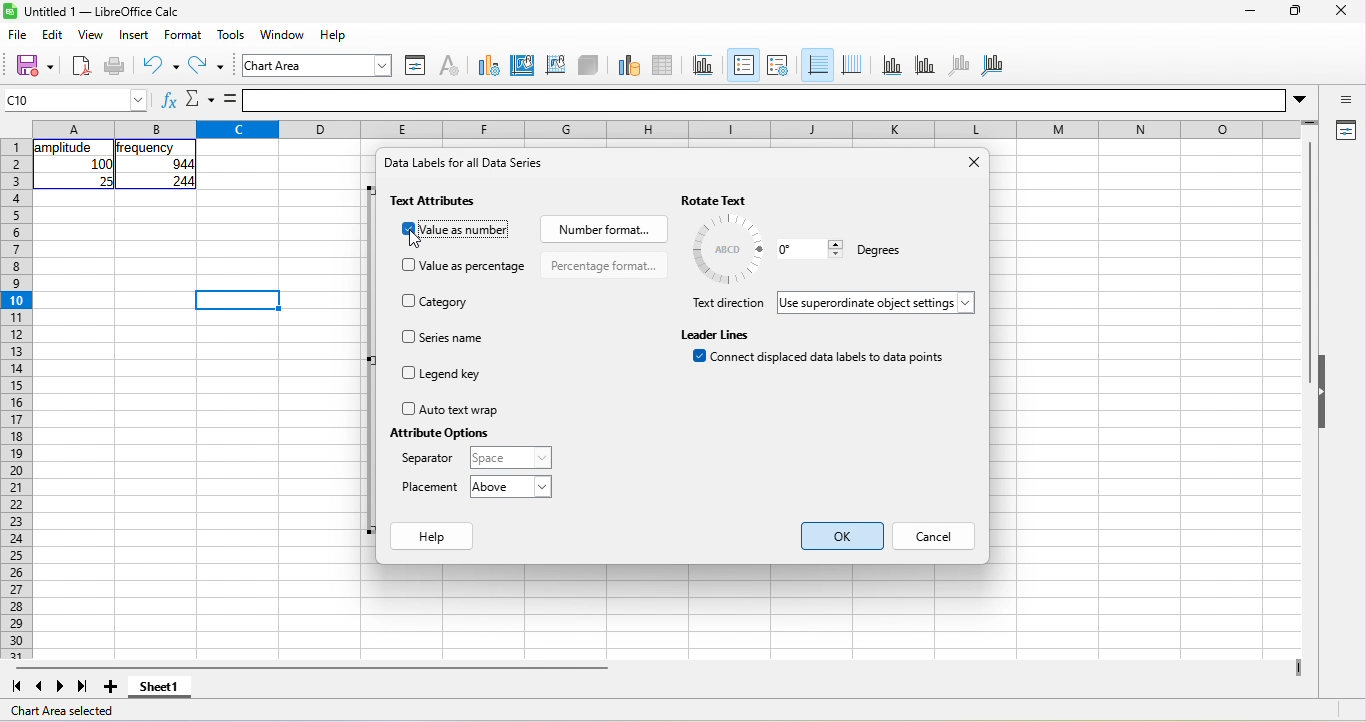  What do you see at coordinates (210, 68) in the screenshot?
I see `redo` at bounding box center [210, 68].